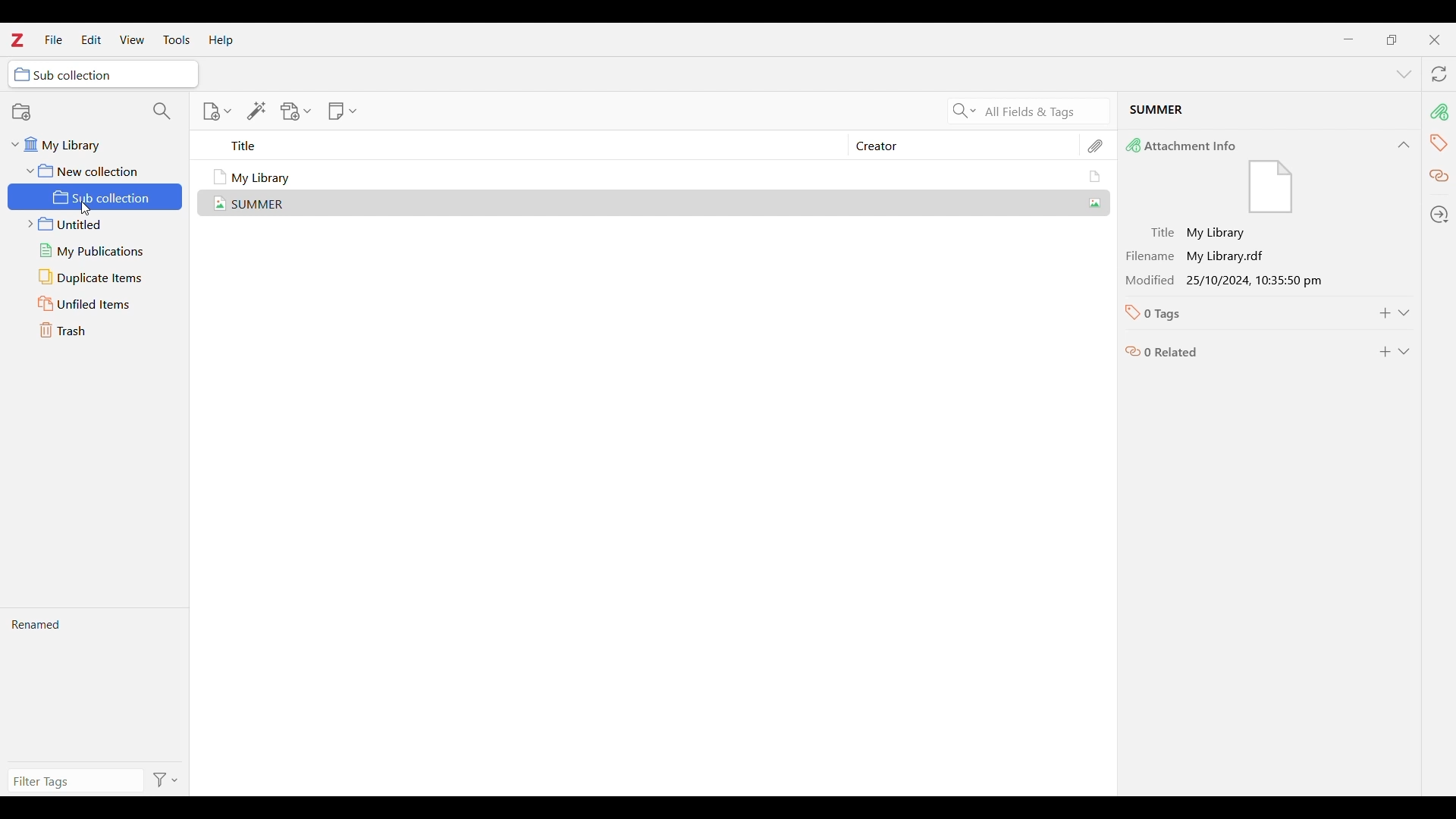  Describe the element at coordinates (54, 39) in the screenshot. I see `File menu` at that location.